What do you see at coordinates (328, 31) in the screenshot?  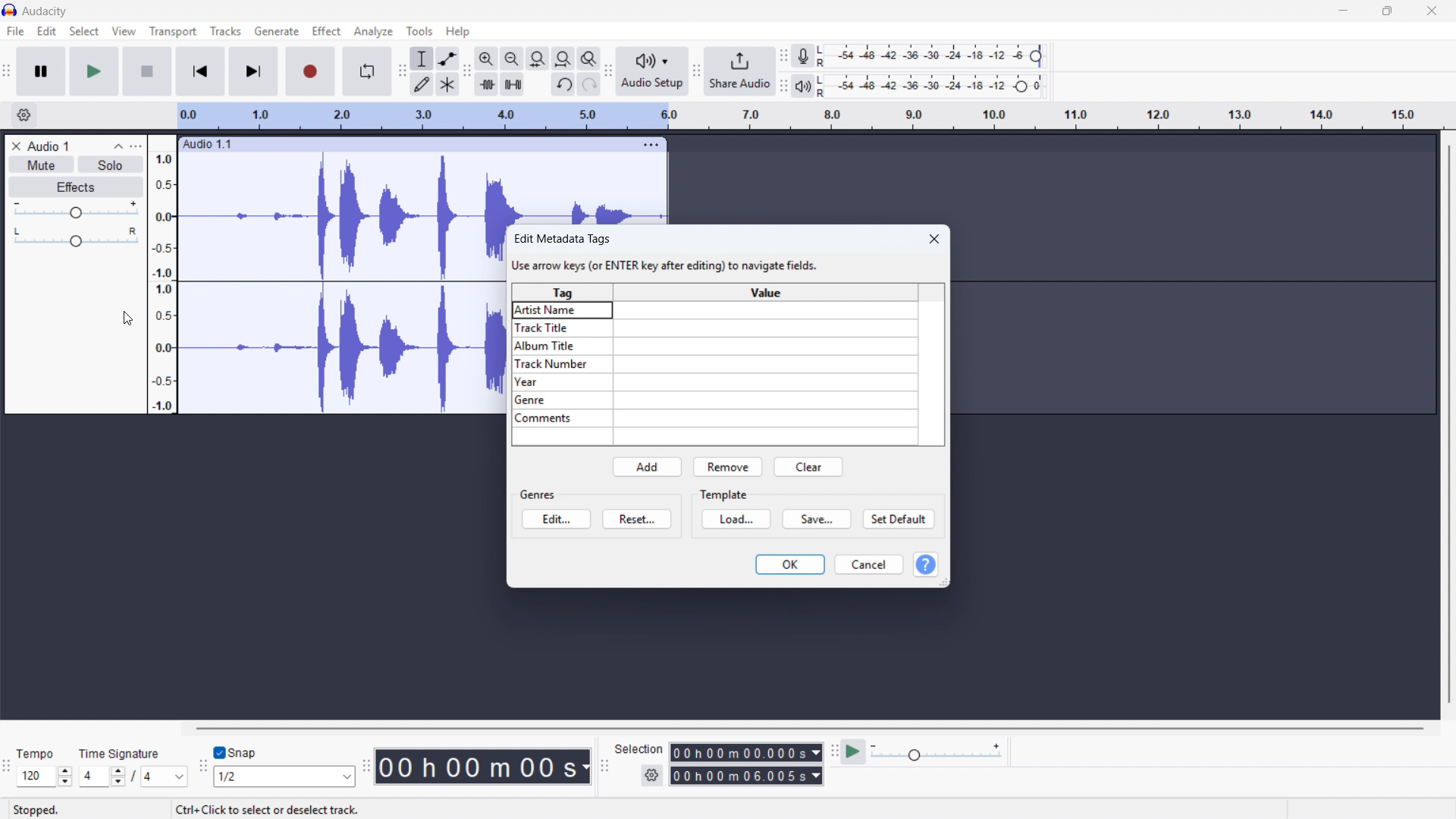 I see `effect` at bounding box center [328, 31].